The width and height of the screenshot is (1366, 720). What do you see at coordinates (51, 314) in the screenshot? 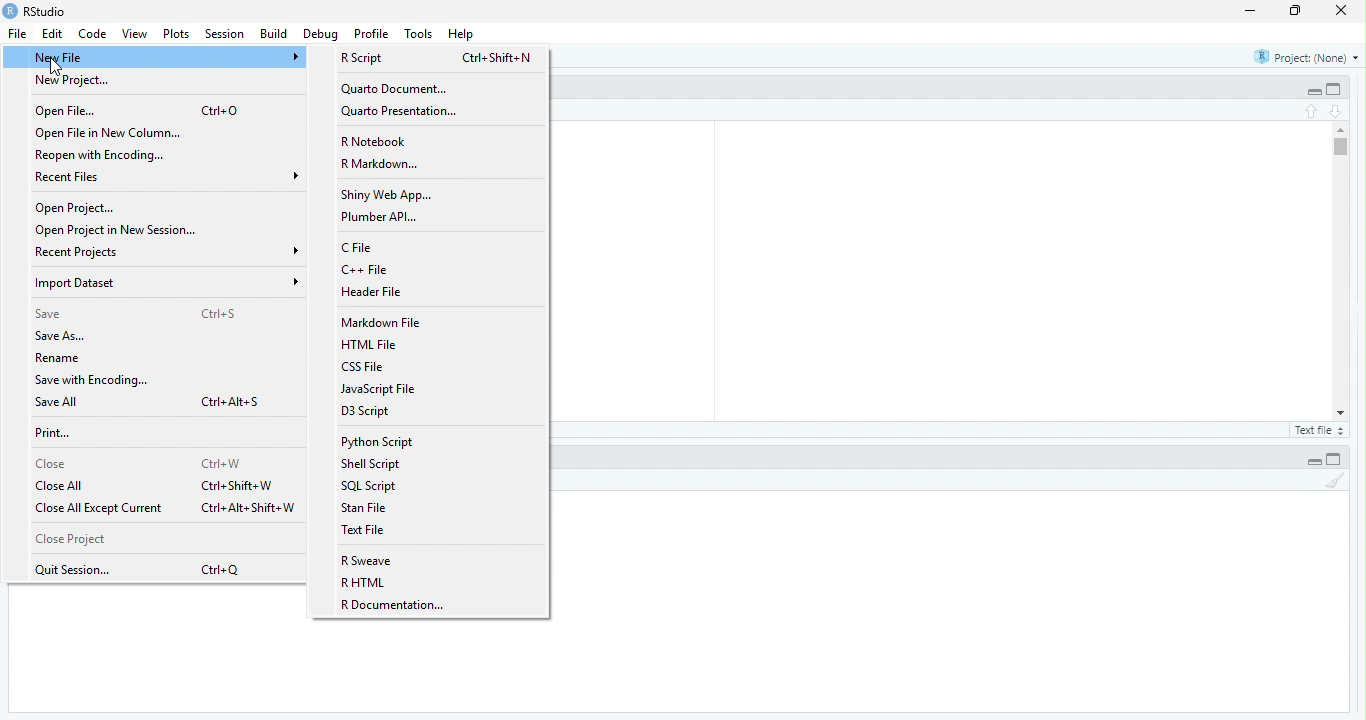
I see `Save` at bounding box center [51, 314].